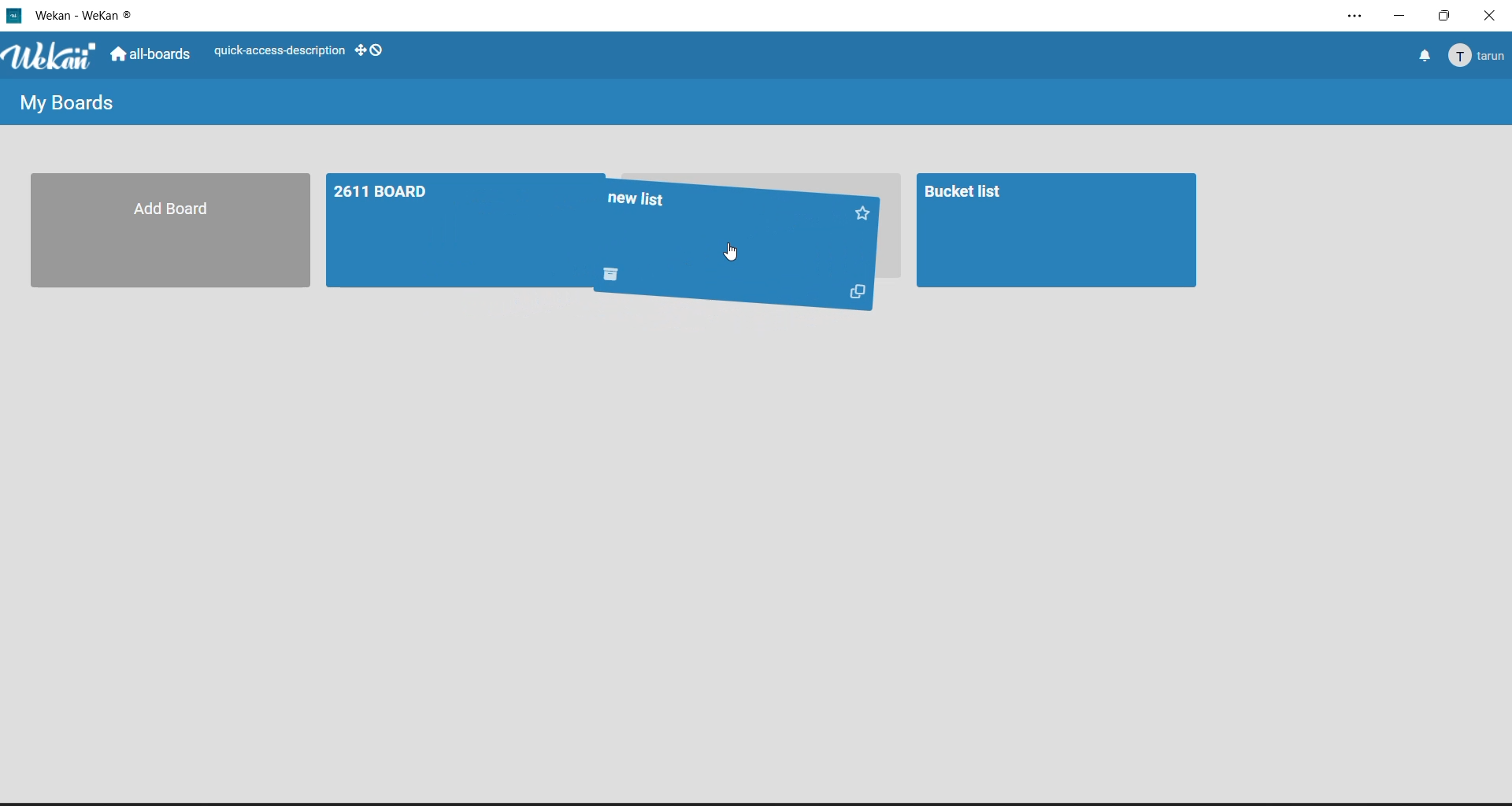 This screenshot has width=1512, height=806. I want to click on minimize, so click(1404, 15).